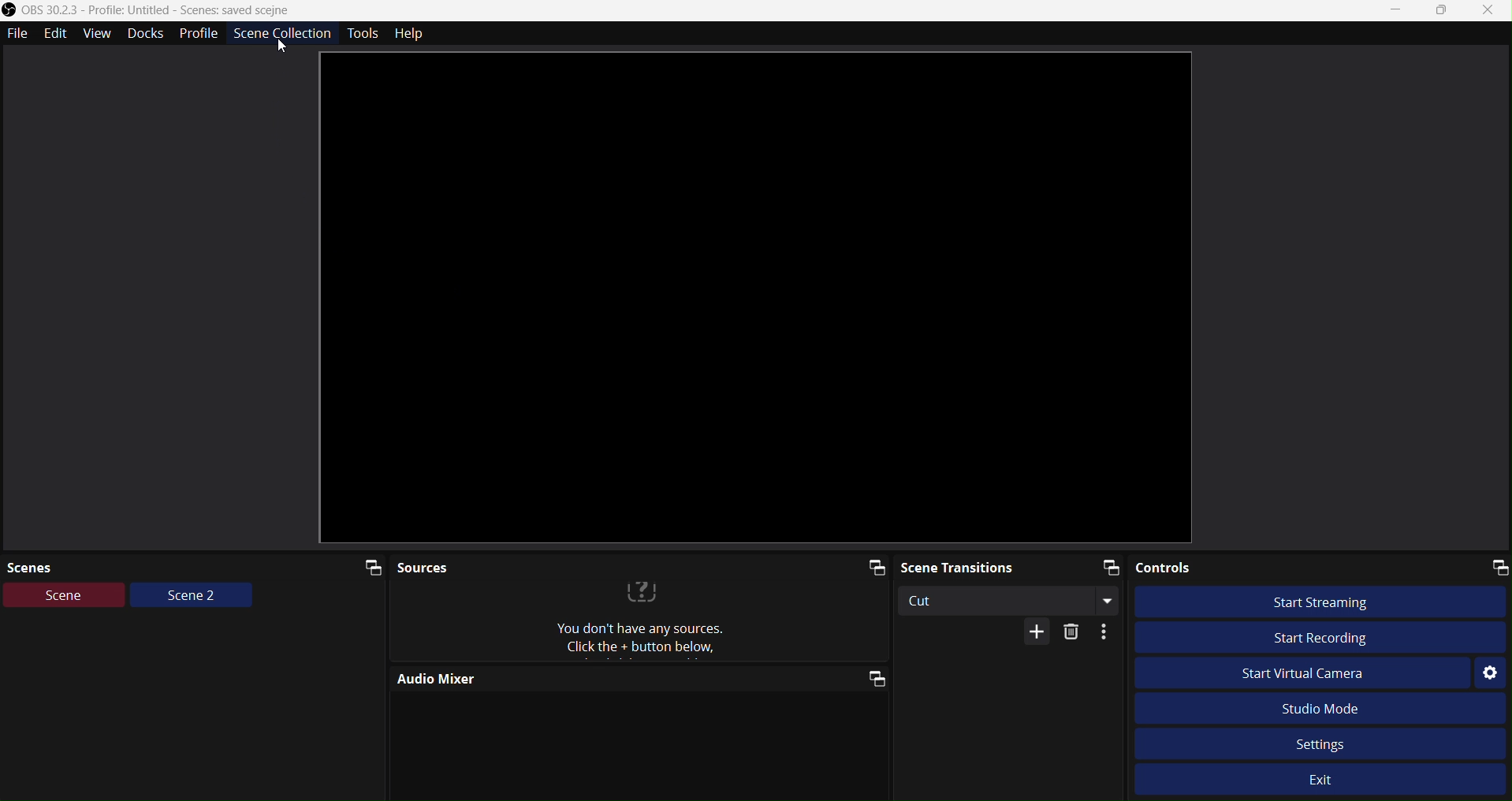  Describe the element at coordinates (642, 569) in the screenshot. I see `Sources` at that location.